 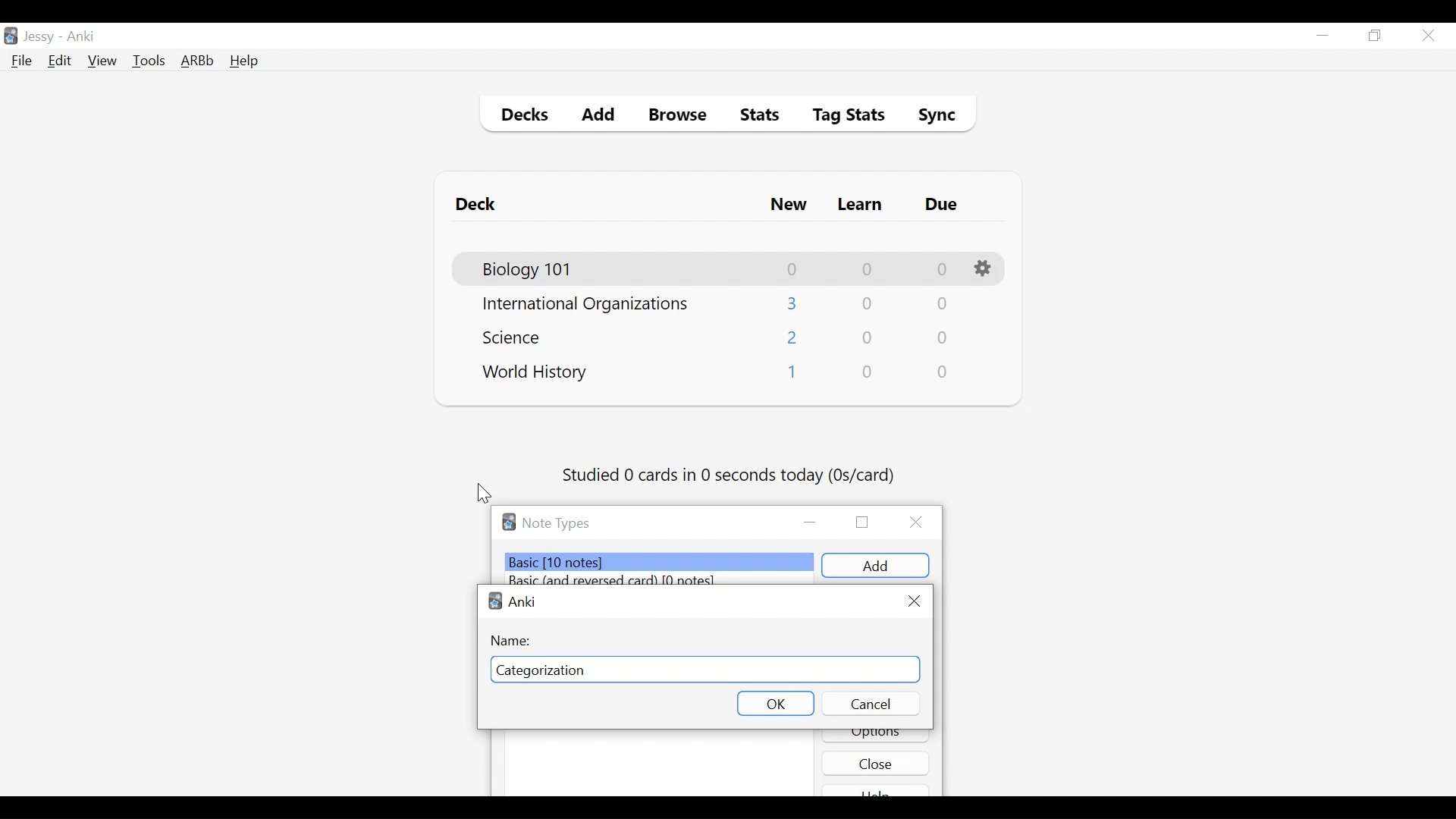 What do you see at coordinates (931, 117) in the screenshot?
I see `Sybc` at bounding box center [931, 117].